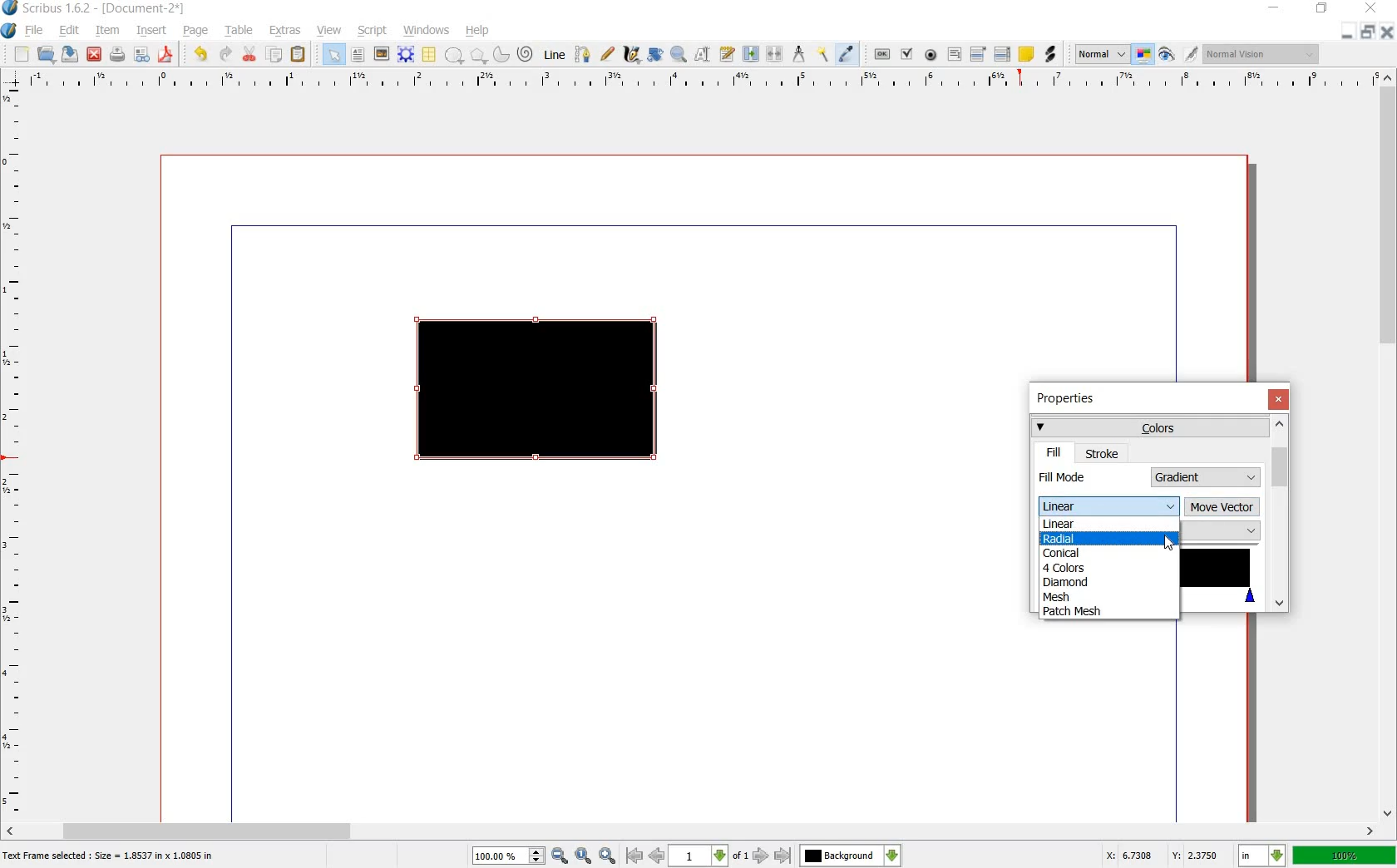 The width and height of the screenshot is (1397, 868). Describe the element at coordinates (333, 54) in the screenshot. I see `select item` at that location.